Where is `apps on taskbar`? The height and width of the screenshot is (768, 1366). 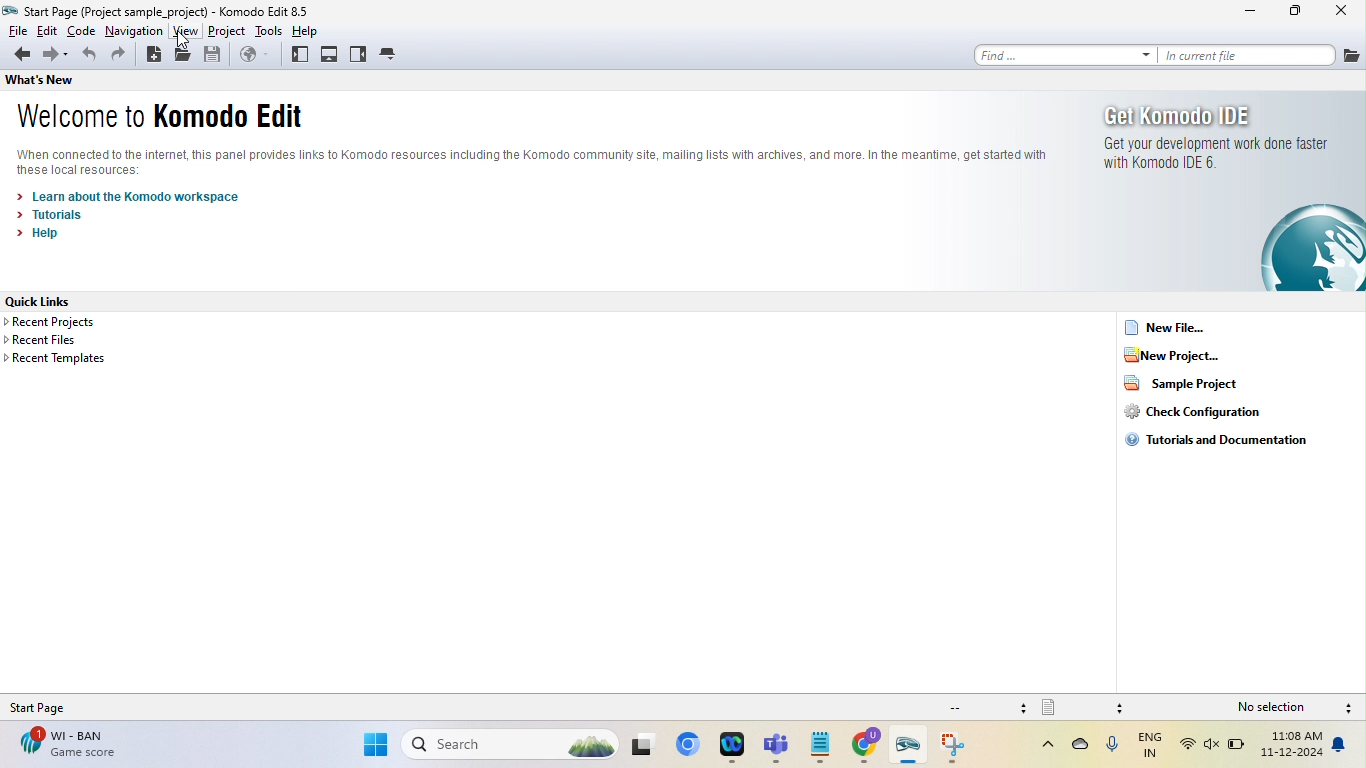
apps on taskbar is located at coordinates (869, 747).